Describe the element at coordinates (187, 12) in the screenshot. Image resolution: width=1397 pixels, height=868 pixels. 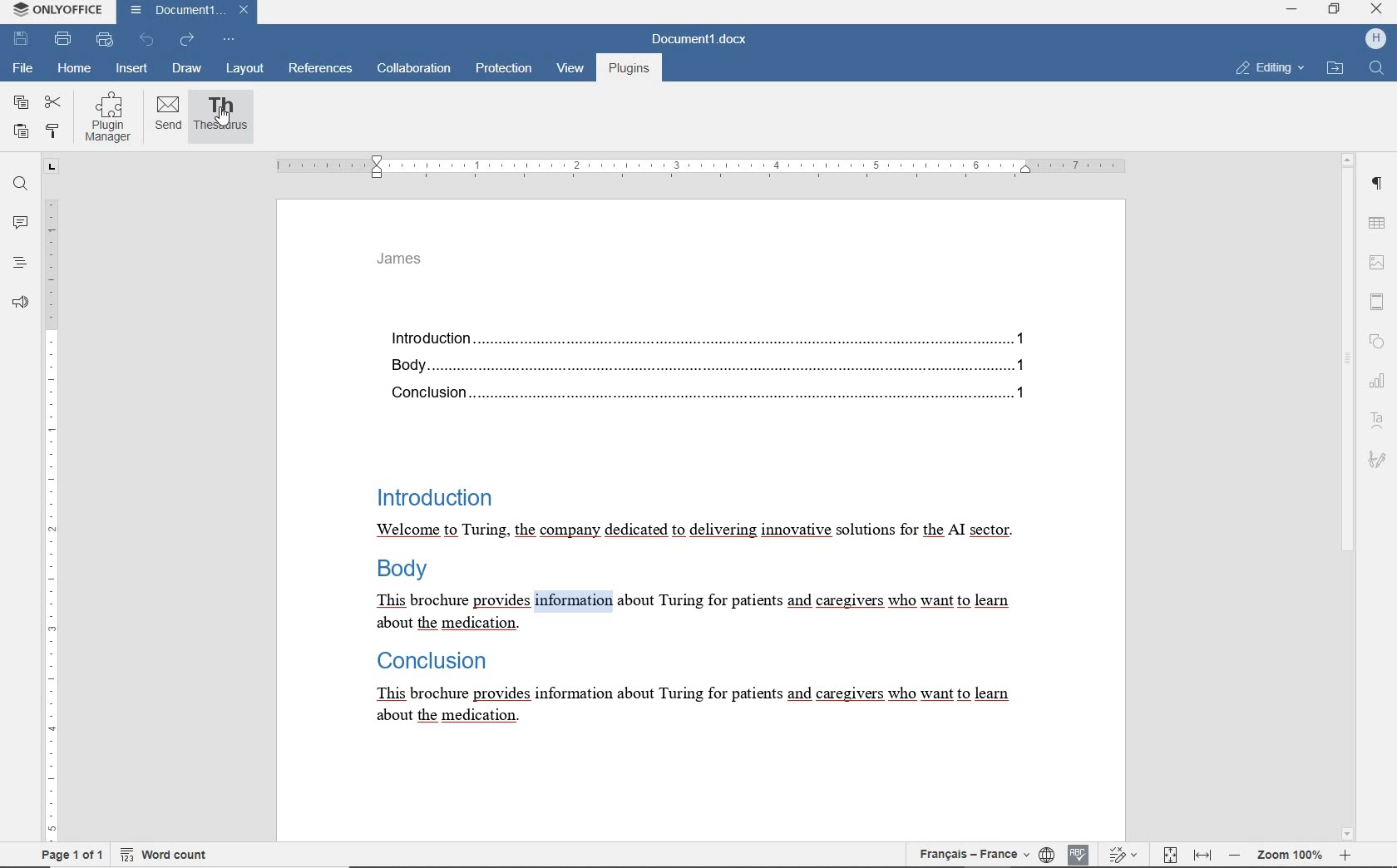
I see `DOCUMENT NAME` at that location.